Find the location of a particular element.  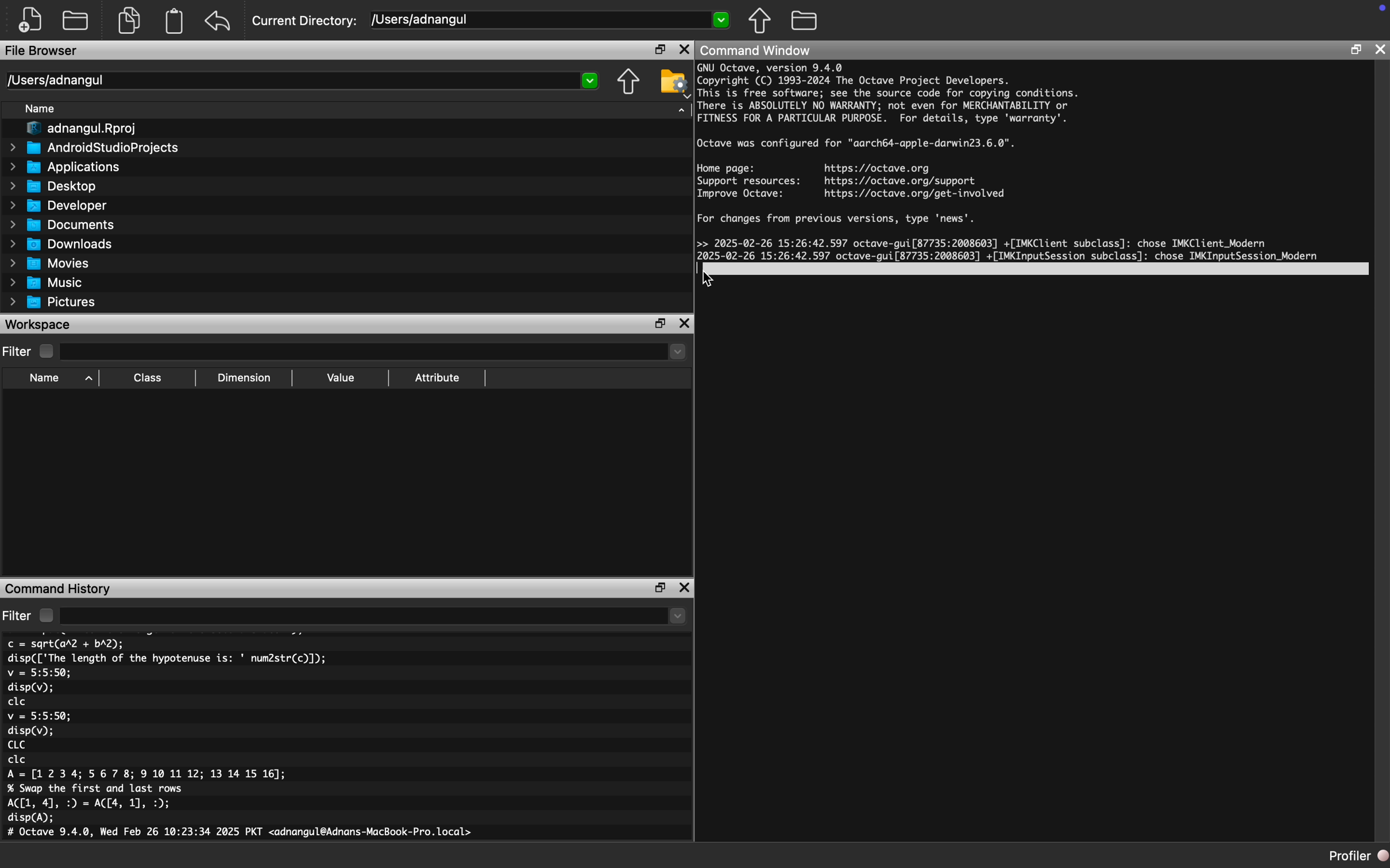

Applications is located at coordinates (63, 168).